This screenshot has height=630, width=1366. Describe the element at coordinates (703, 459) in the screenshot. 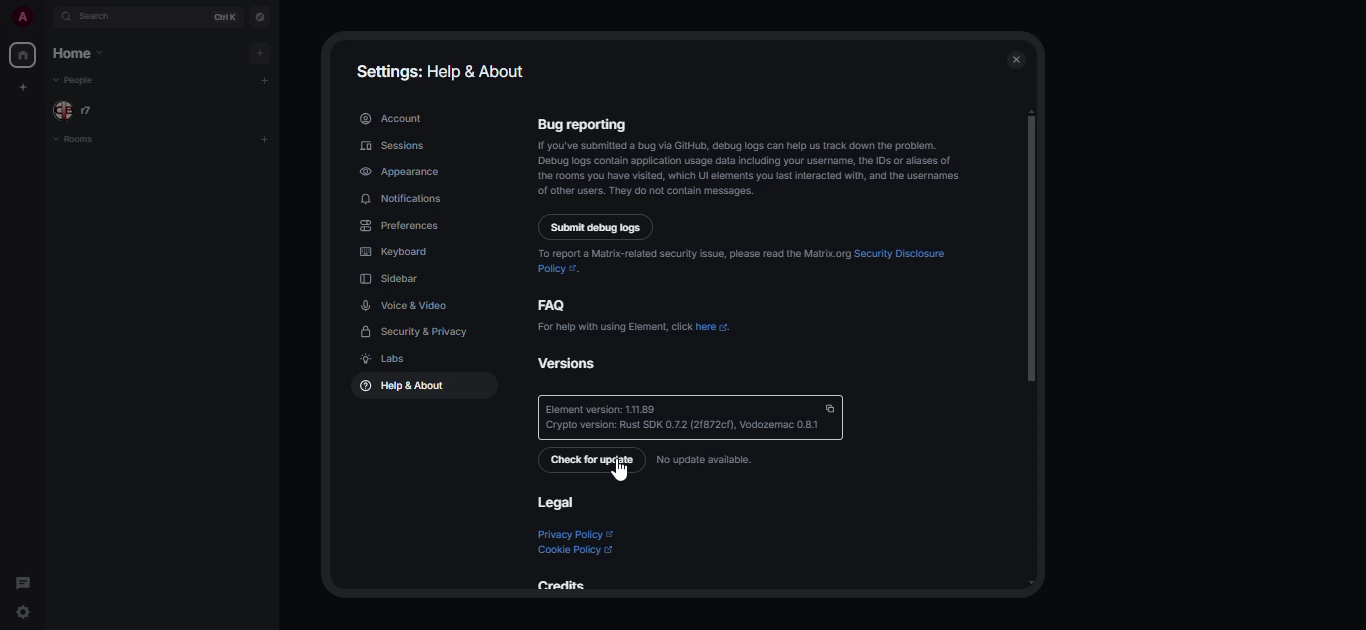

I see `no update available` at that location.